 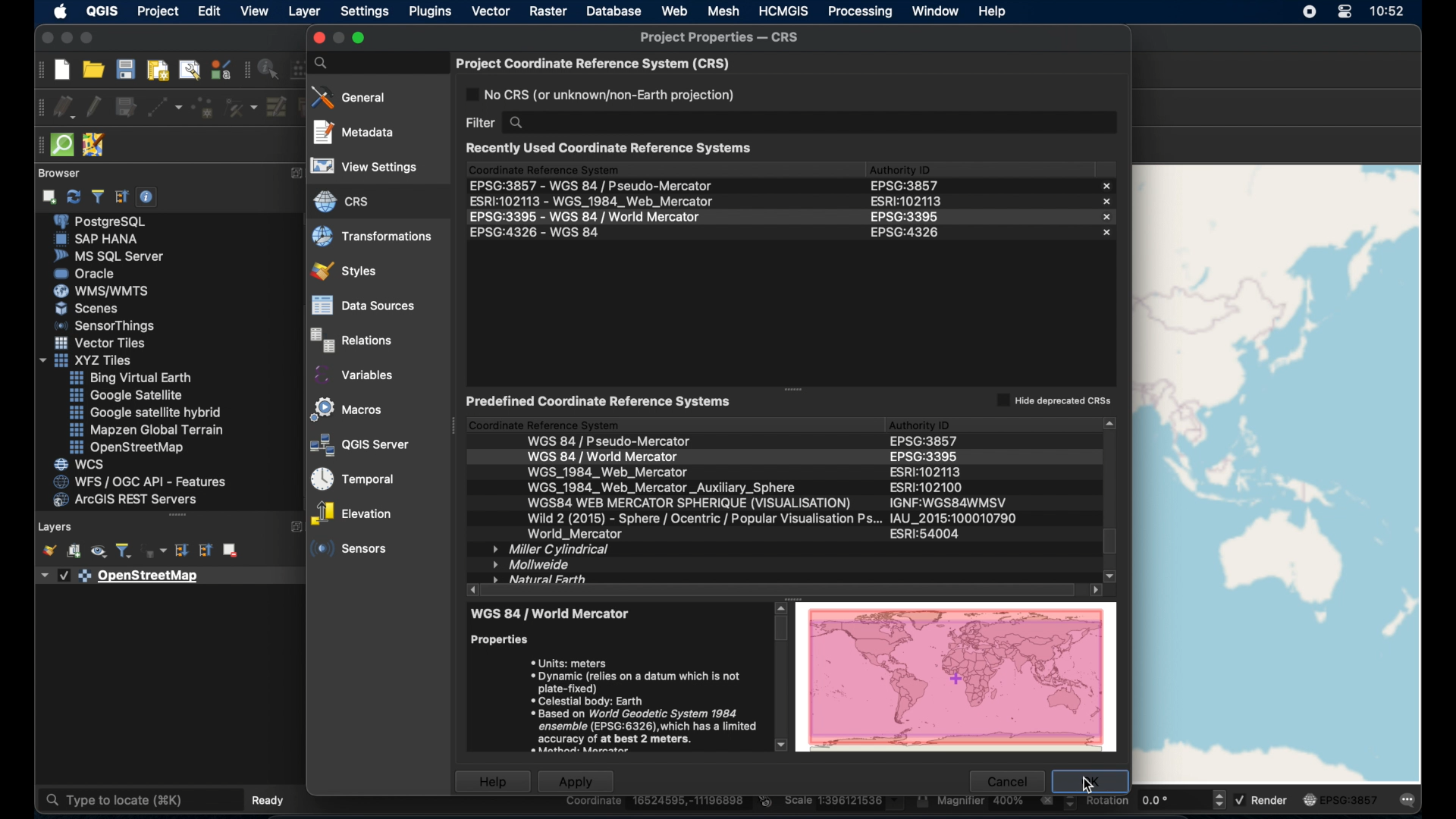 I want to click on close, so click(x=1105, y=235).